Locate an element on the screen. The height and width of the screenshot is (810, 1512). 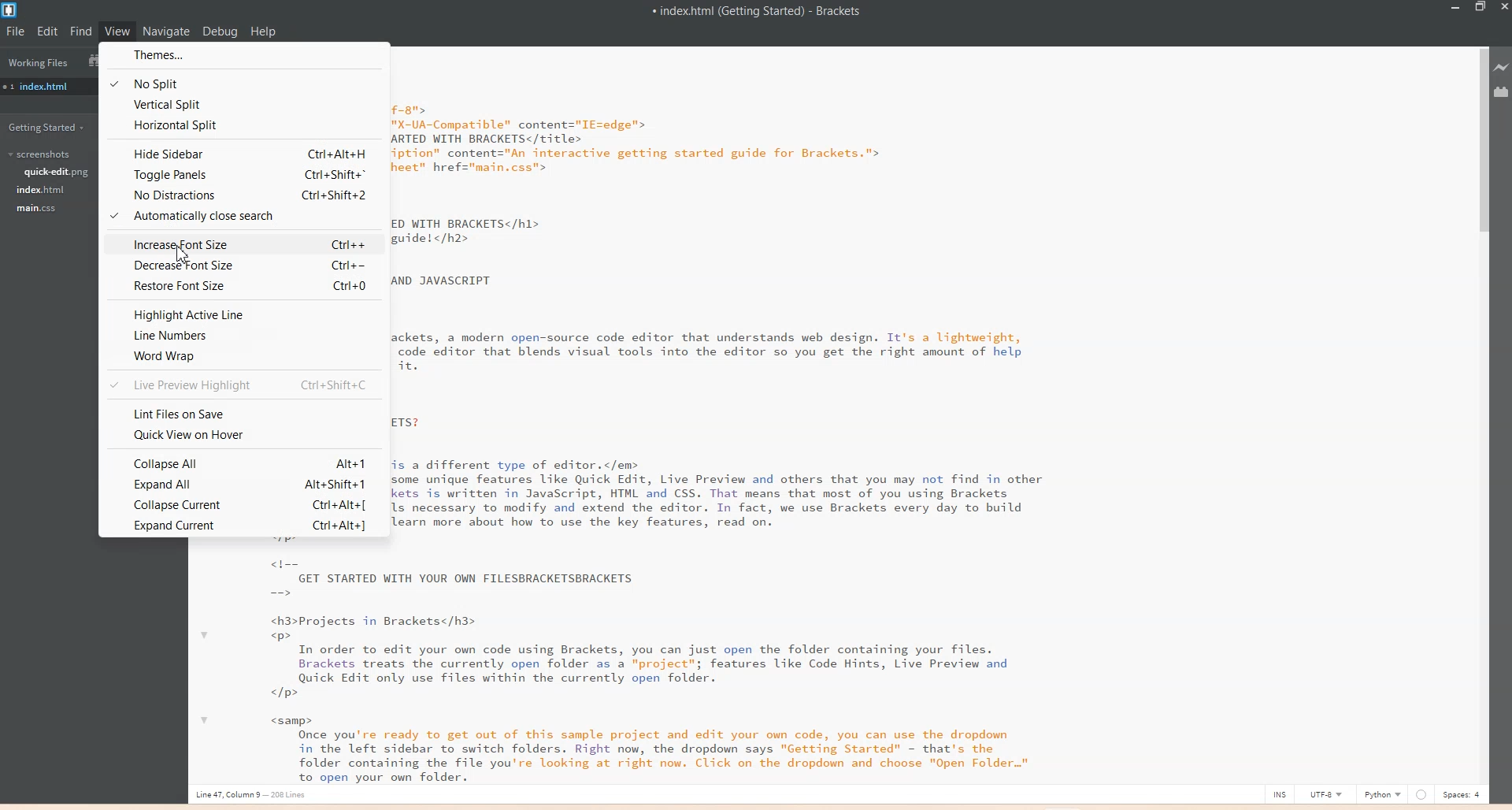
Edit is located at coordinates (49, 31).